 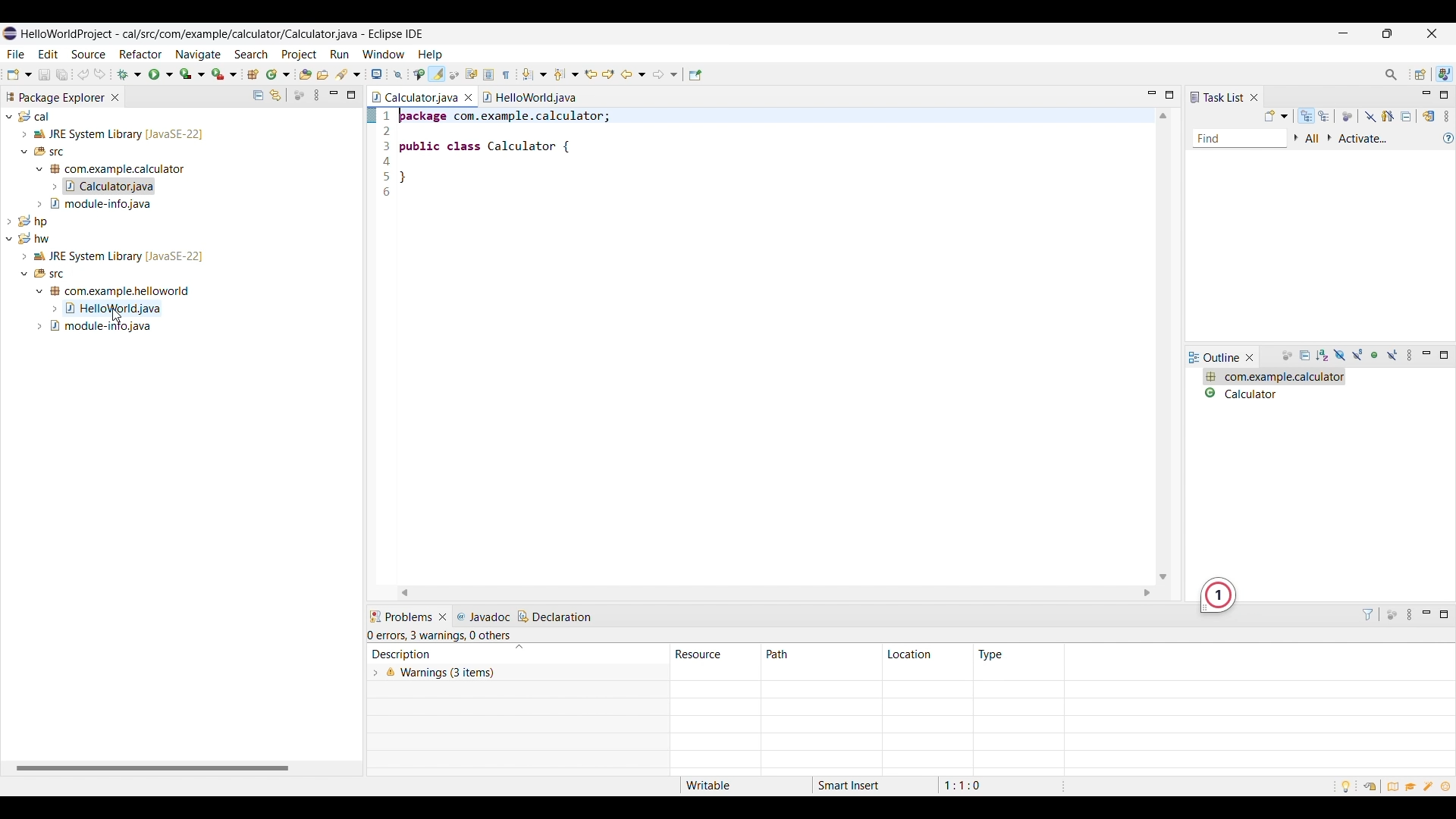 What do you see at coordinates (1218, 596) in the screenshot?
I see `Grammarly grammar checker` at bounding box center [1218, 596].